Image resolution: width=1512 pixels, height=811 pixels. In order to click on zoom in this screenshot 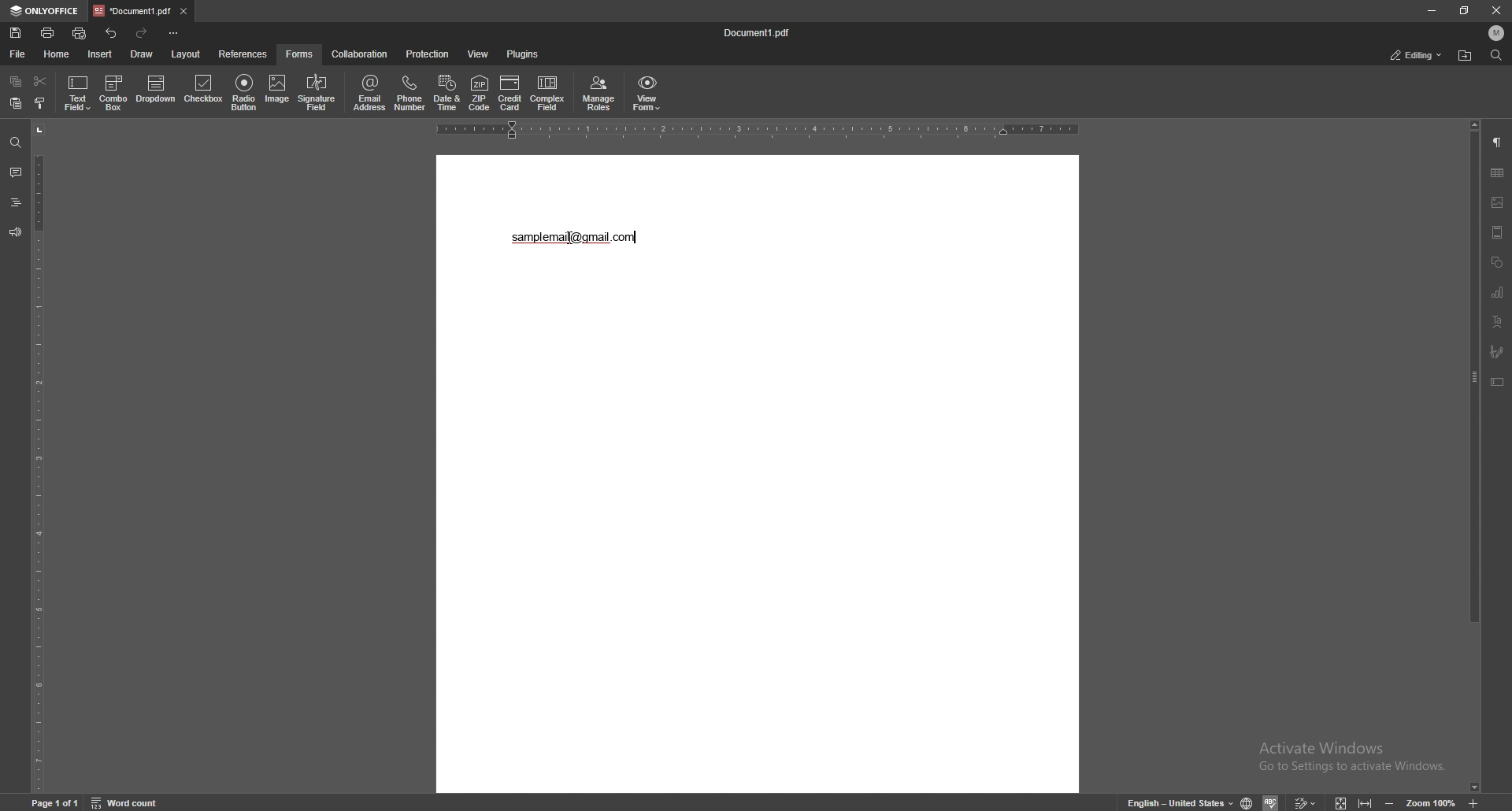, I will do `click(1431, 802)`.